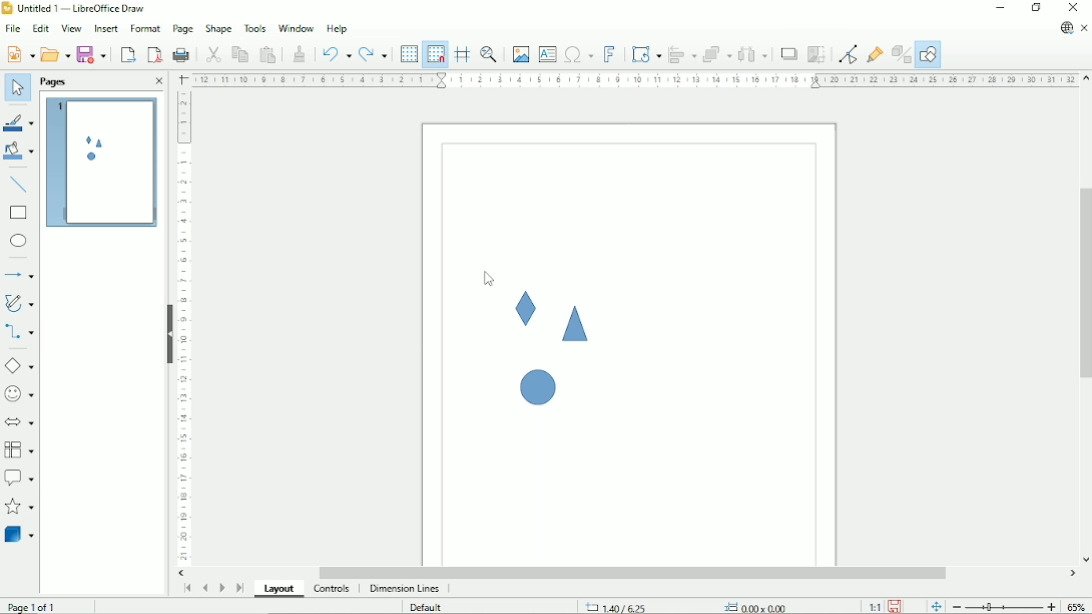  What do you see at coordinates (1074, 8) in the screenshot?
I see `Close` at bounding box center [1074, 8].